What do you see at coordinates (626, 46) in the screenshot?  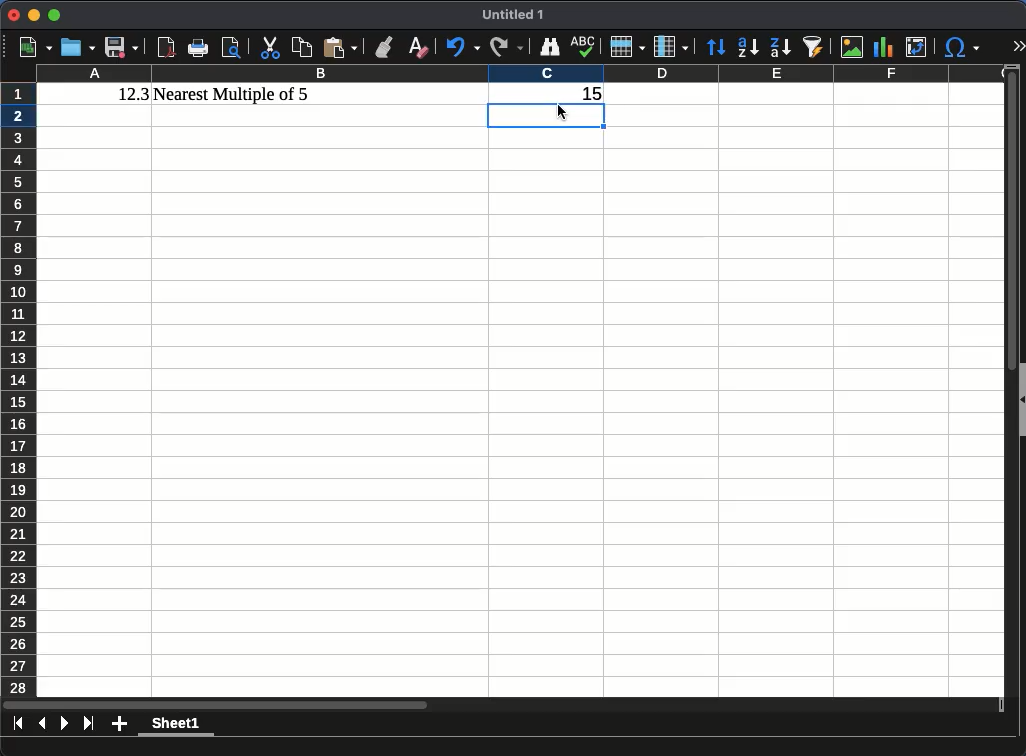 I see `row` at bounding box center [626, 46].